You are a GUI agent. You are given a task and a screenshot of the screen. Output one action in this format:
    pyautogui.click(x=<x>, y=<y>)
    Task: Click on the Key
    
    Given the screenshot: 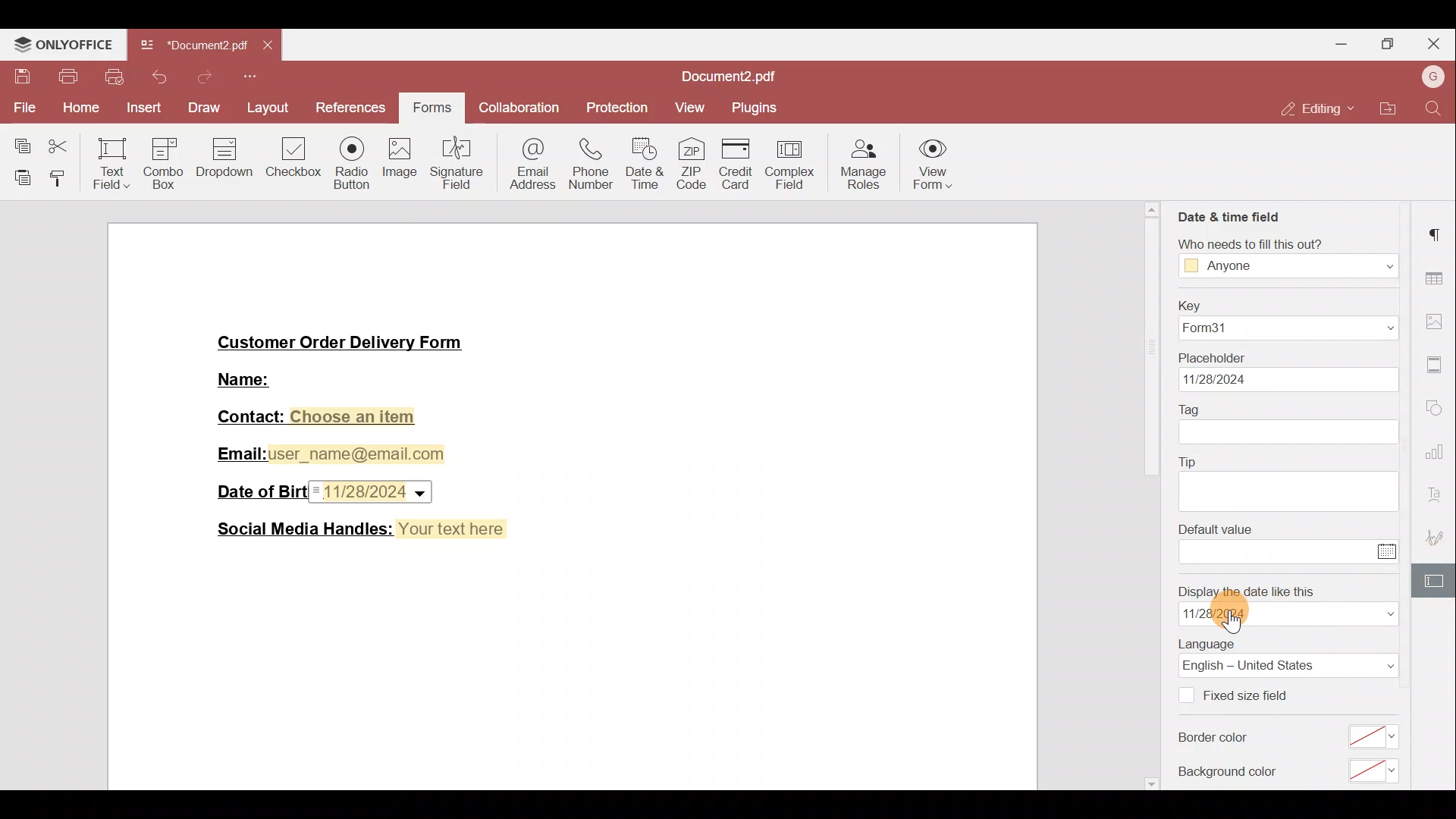 What is the action you would take?
    pyautogui.click(x=1191, y=306)
    